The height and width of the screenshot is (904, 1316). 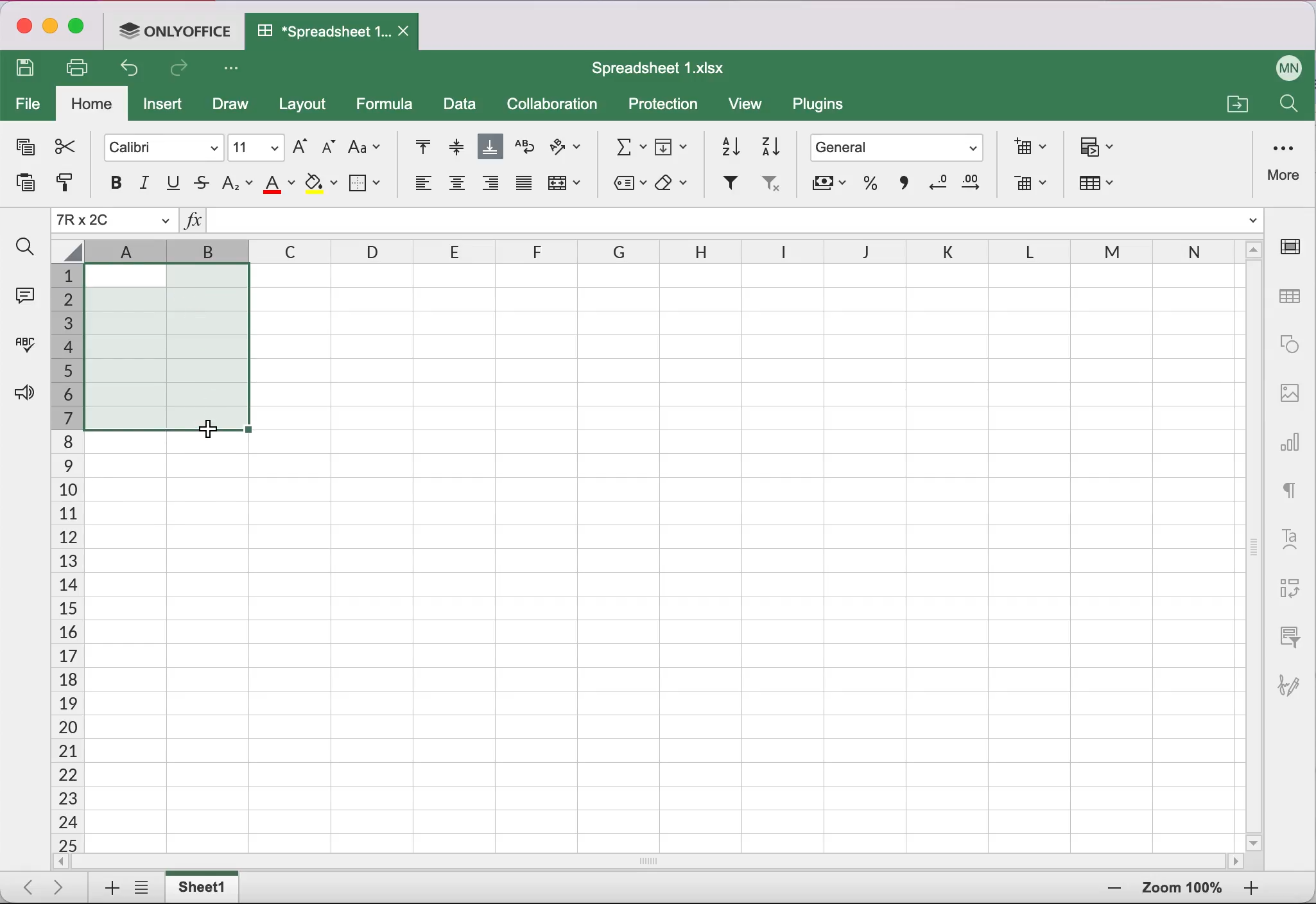 What do you see at coordinates (24, 247) in the screenshot?
I see `find` at bounding box center [24, 247].